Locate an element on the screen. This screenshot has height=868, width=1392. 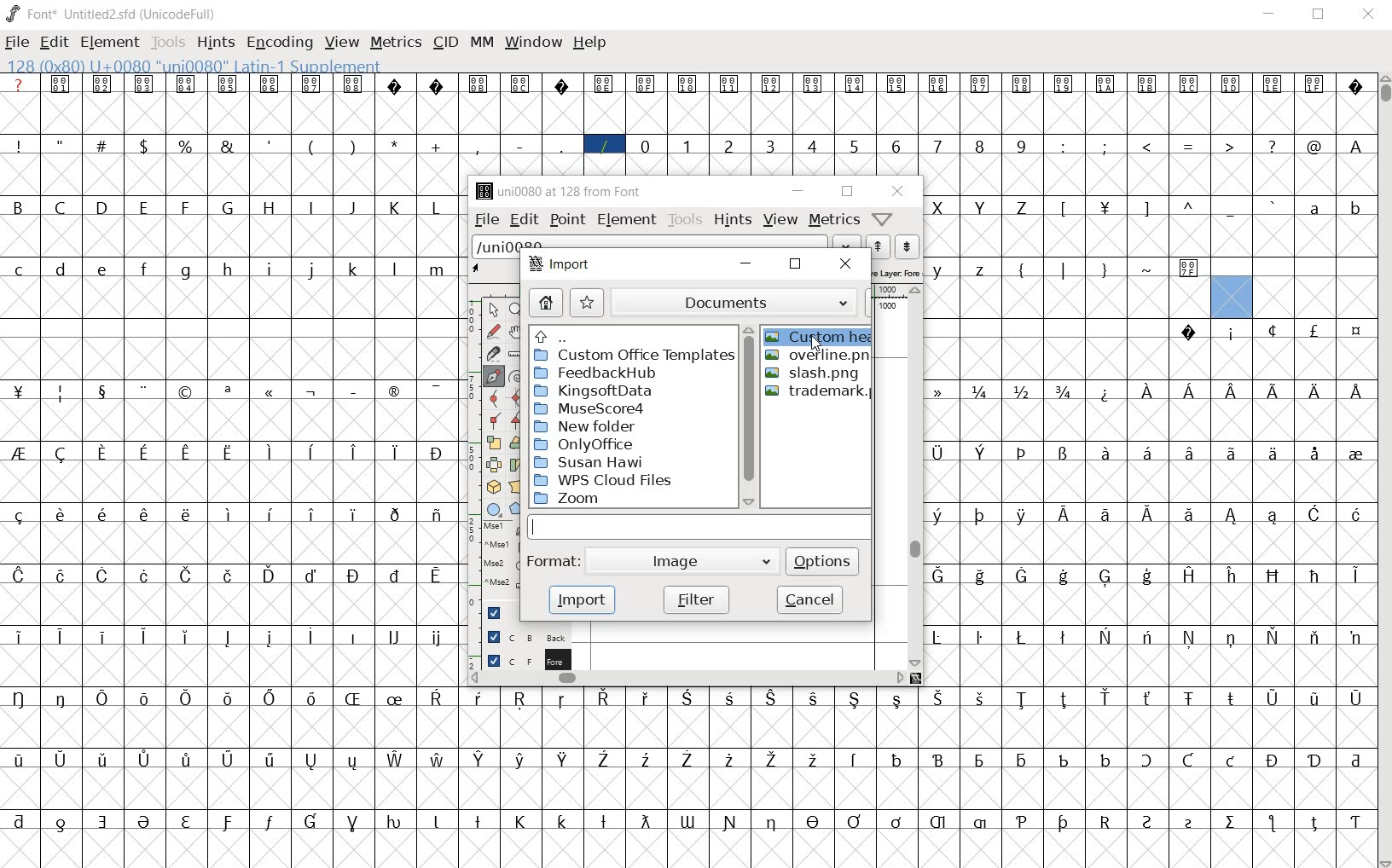
scrollbar is located at coordinates (686, 680).